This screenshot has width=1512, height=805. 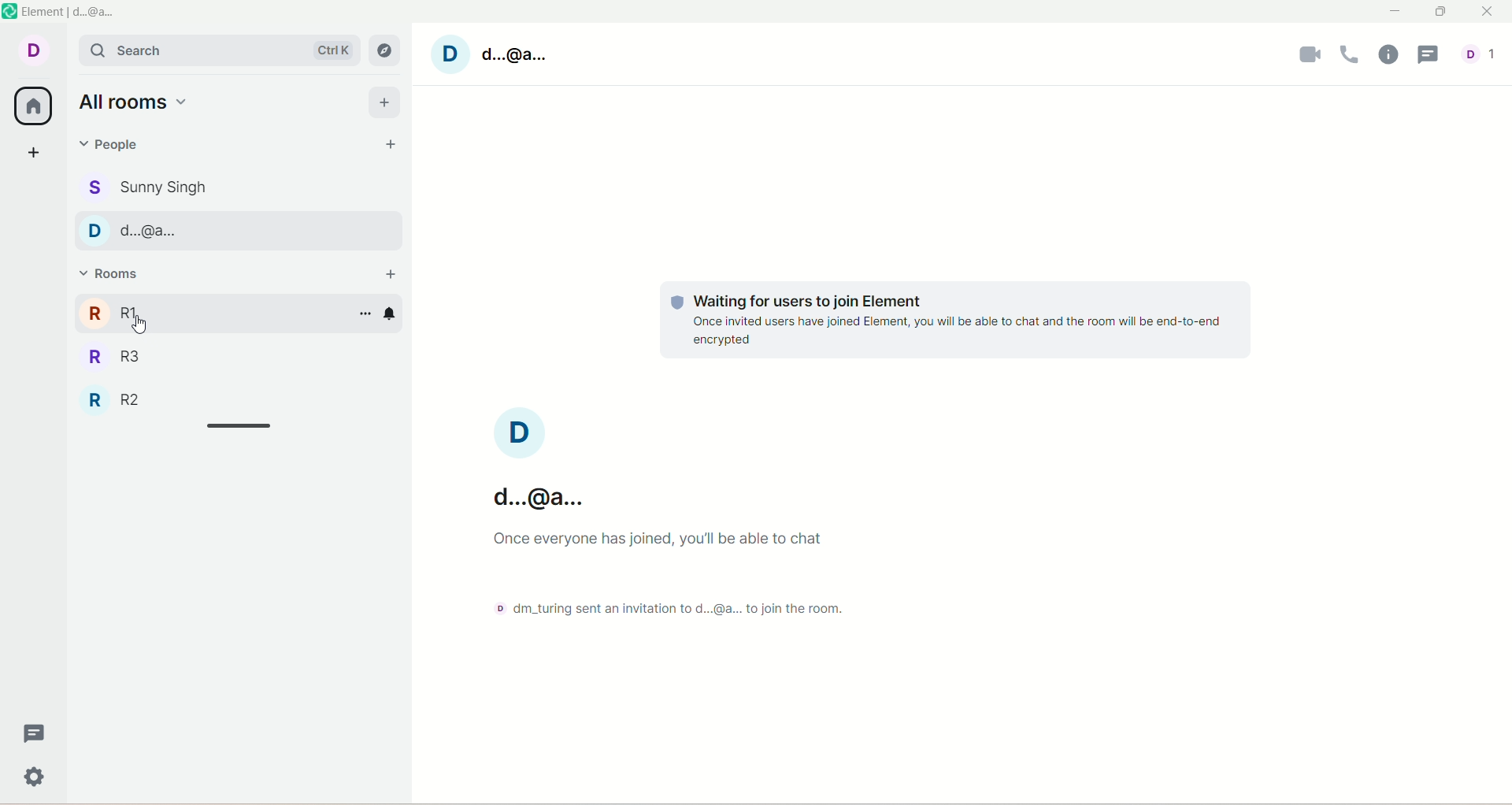 I want to click on video call, so click(x=1308, y=55).